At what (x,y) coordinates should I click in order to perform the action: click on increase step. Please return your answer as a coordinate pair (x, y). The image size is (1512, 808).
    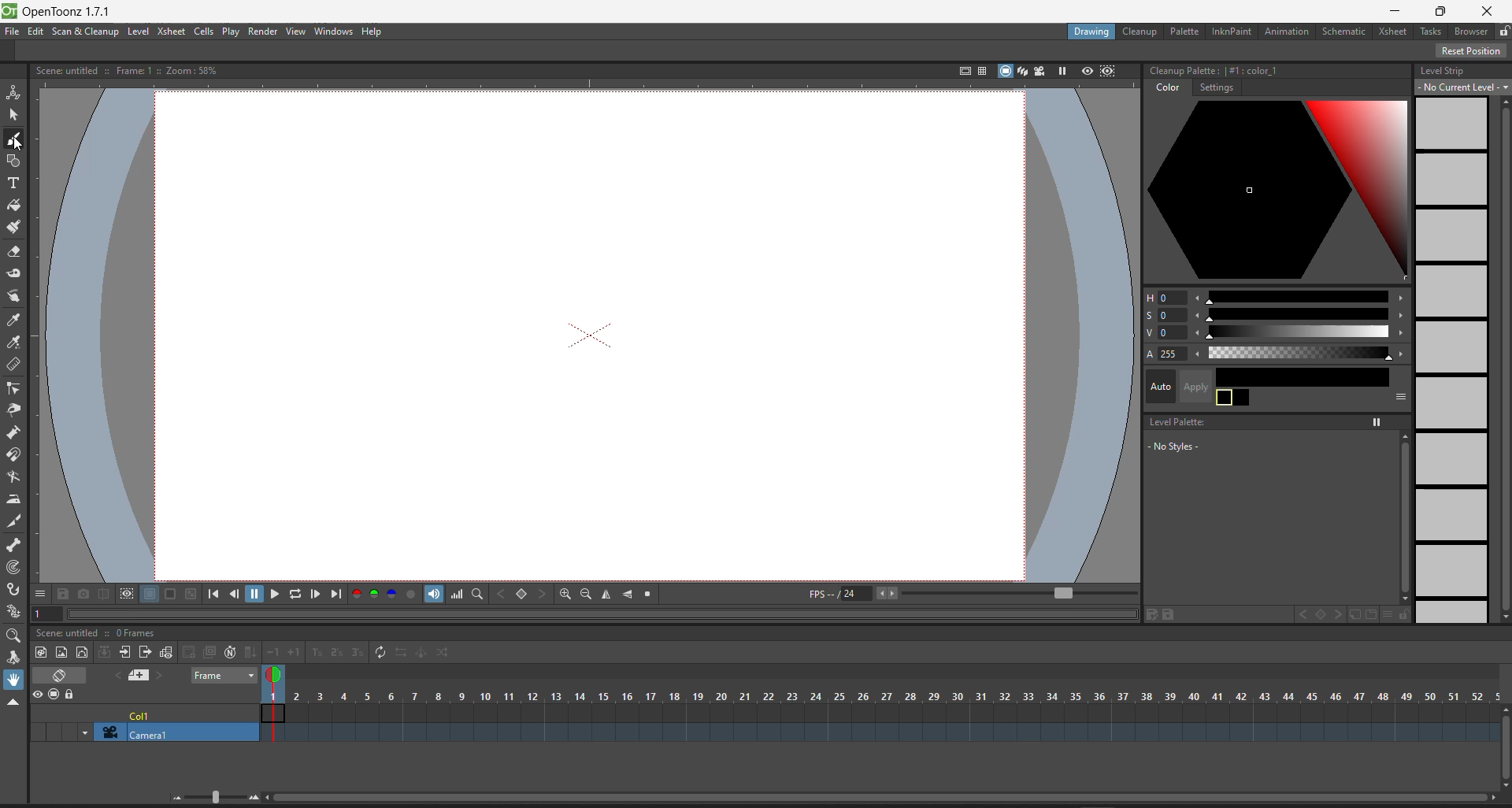
    Looking at the image, I should click on (293, 653).